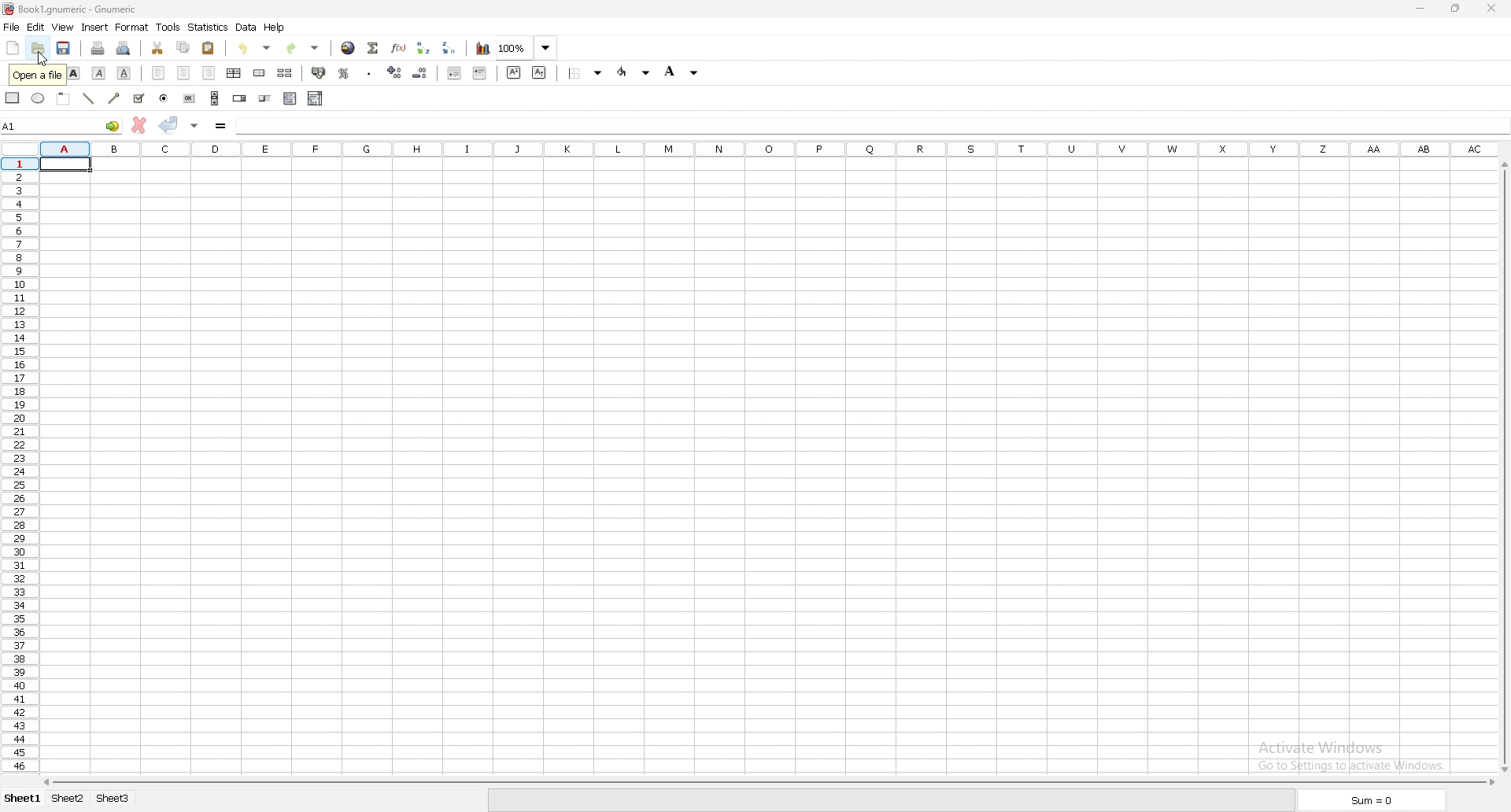 This screenshot has height=812, width=1511. Describe the element at coordinates (680, 73) in the screenshot. I see `background` at that location.